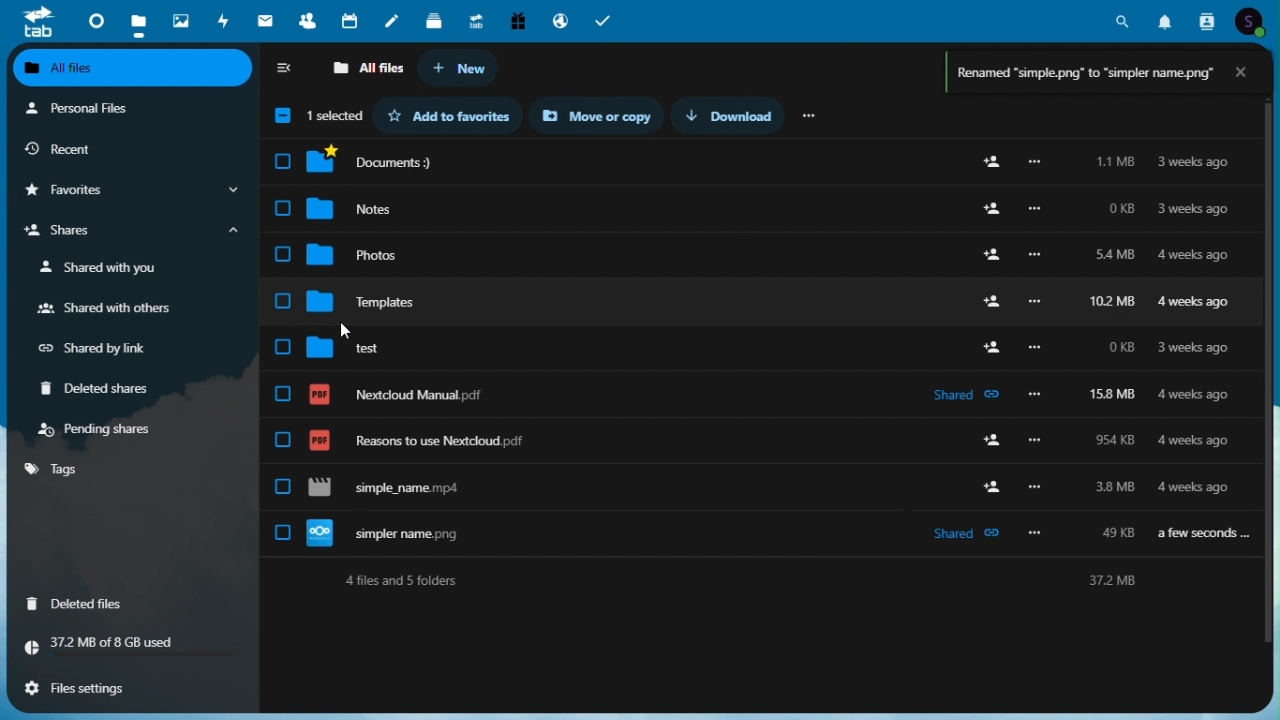 Image resolution: width=1280 pixels, height=720 pixels. I want to click on Notes  0KB  3weeksago, so click(761, 204).